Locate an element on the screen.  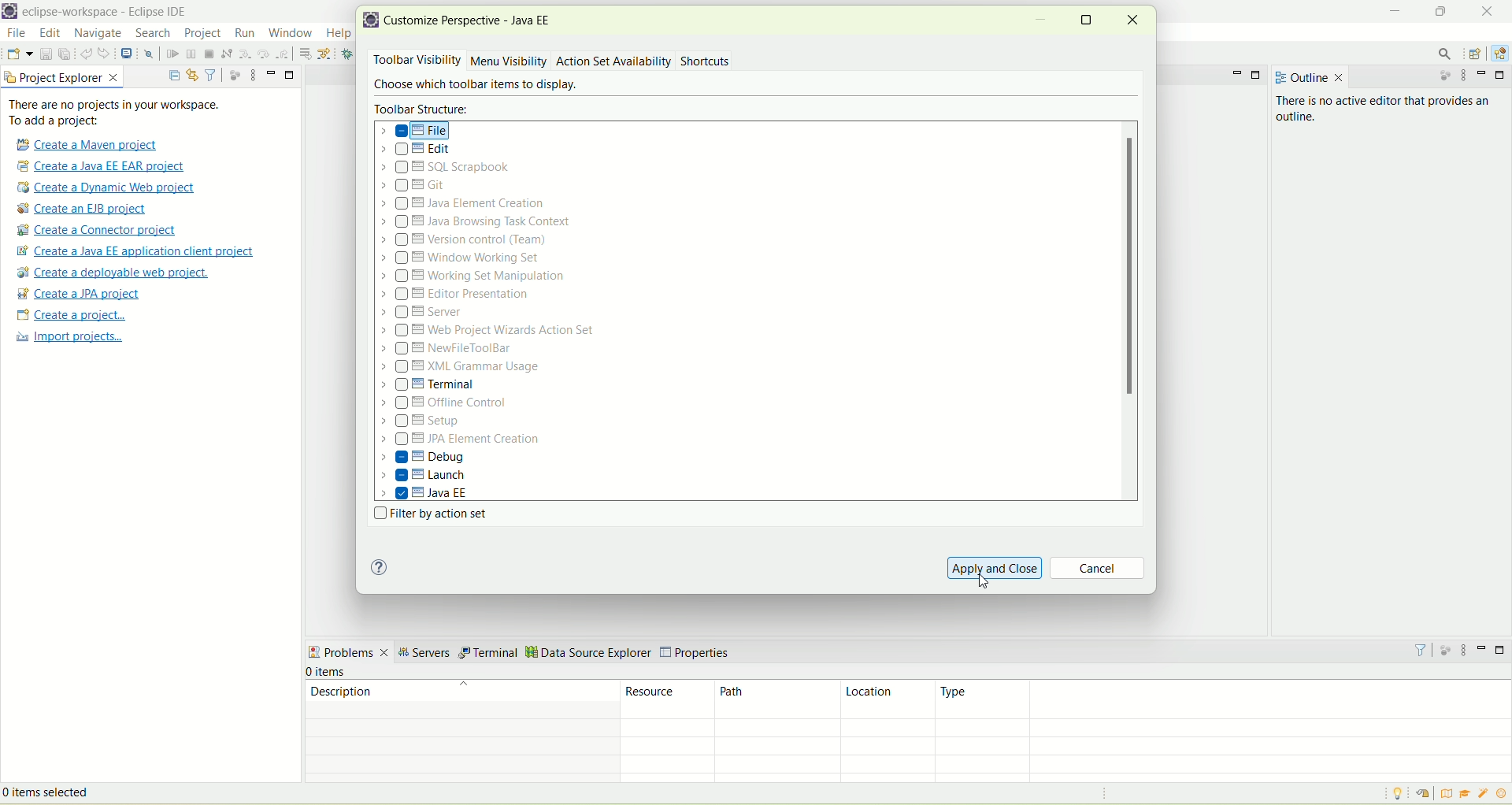
filter is located at coordinates (211, 75).